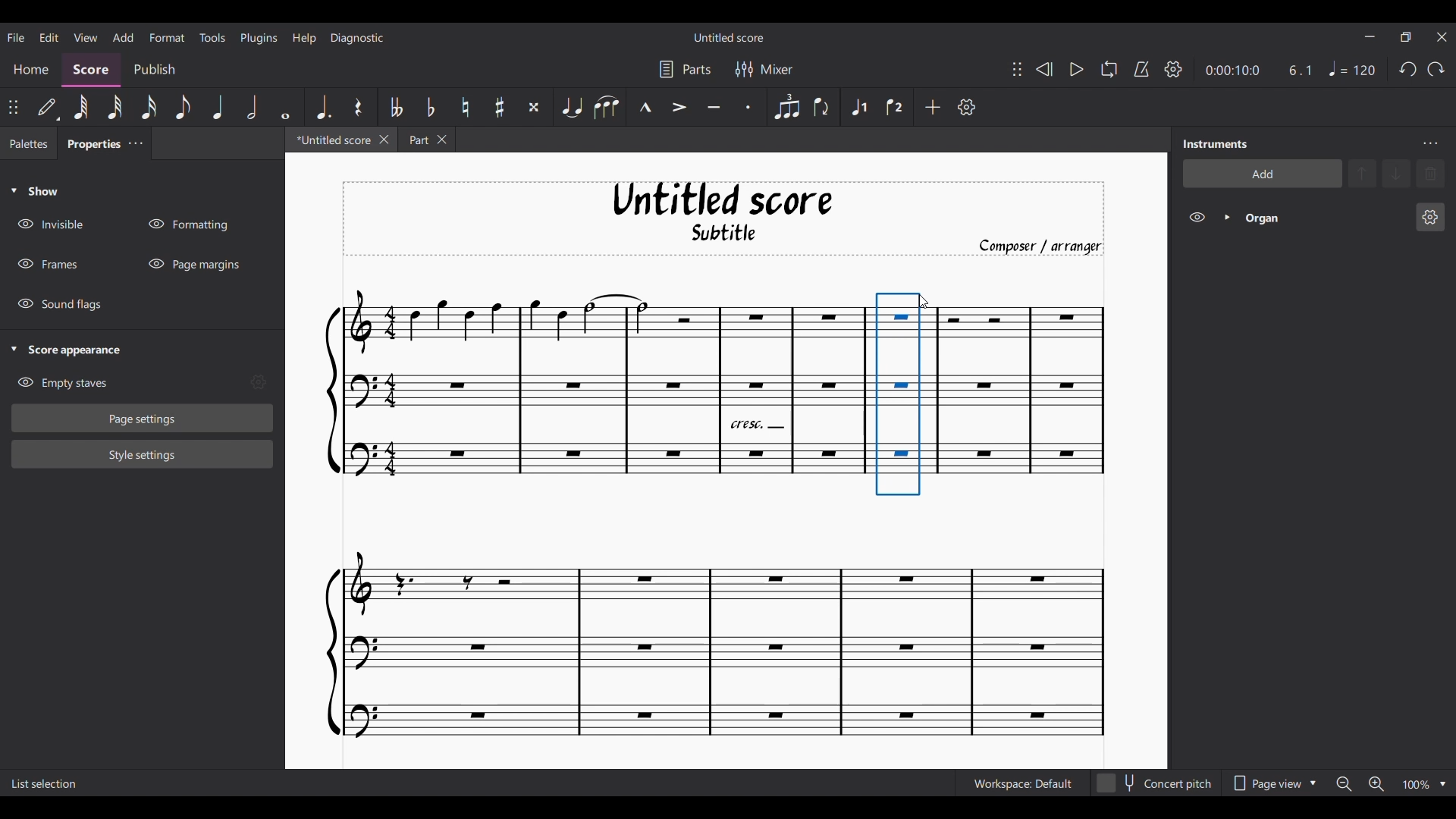 This screenshot has height=819, width=1456. What do you see at coordinates (1344, 783) in the screenshot?
I see `Zoom out` at bounding box center [1344, 783].